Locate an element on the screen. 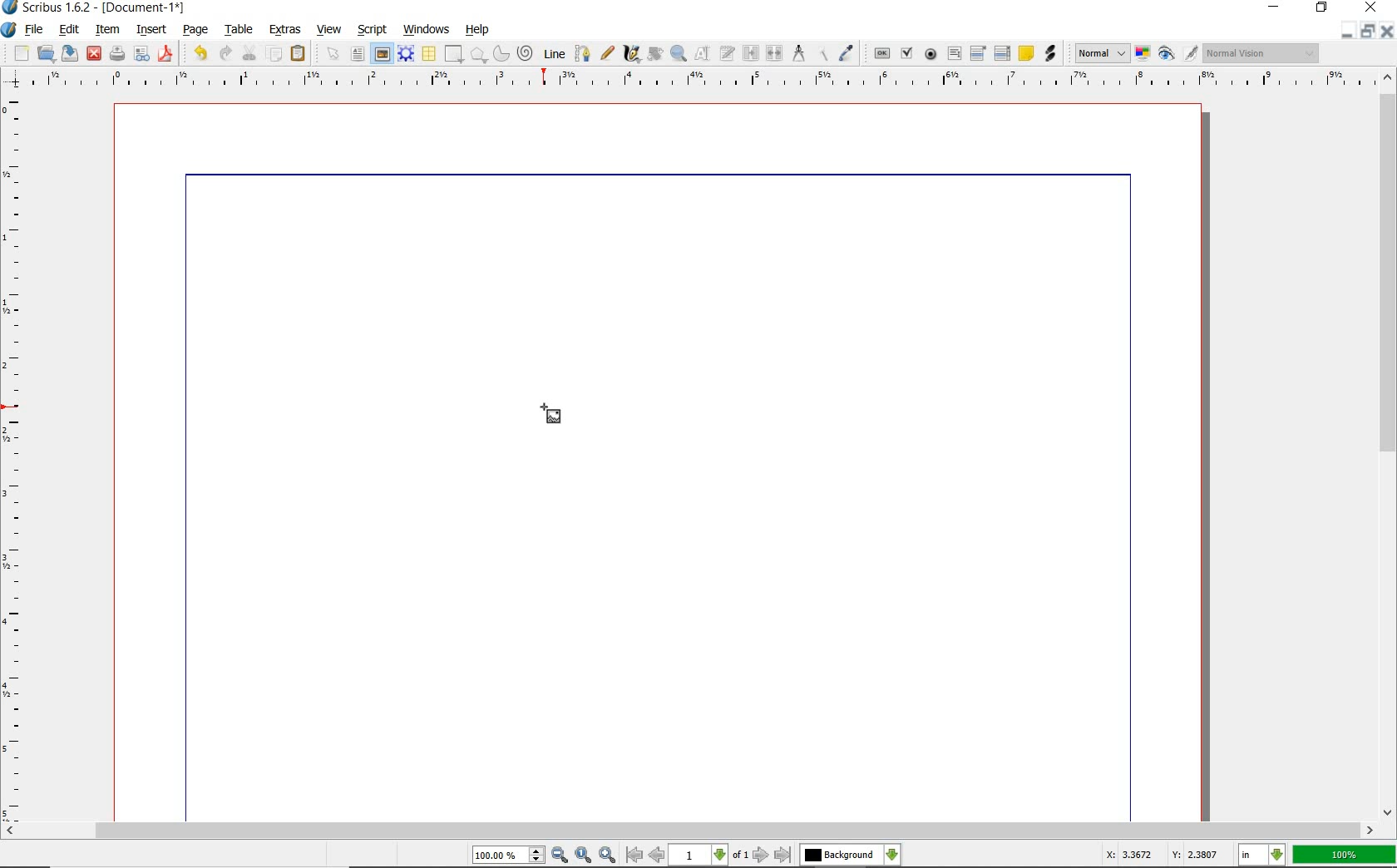  spiral is located at coordinates (526, 52).